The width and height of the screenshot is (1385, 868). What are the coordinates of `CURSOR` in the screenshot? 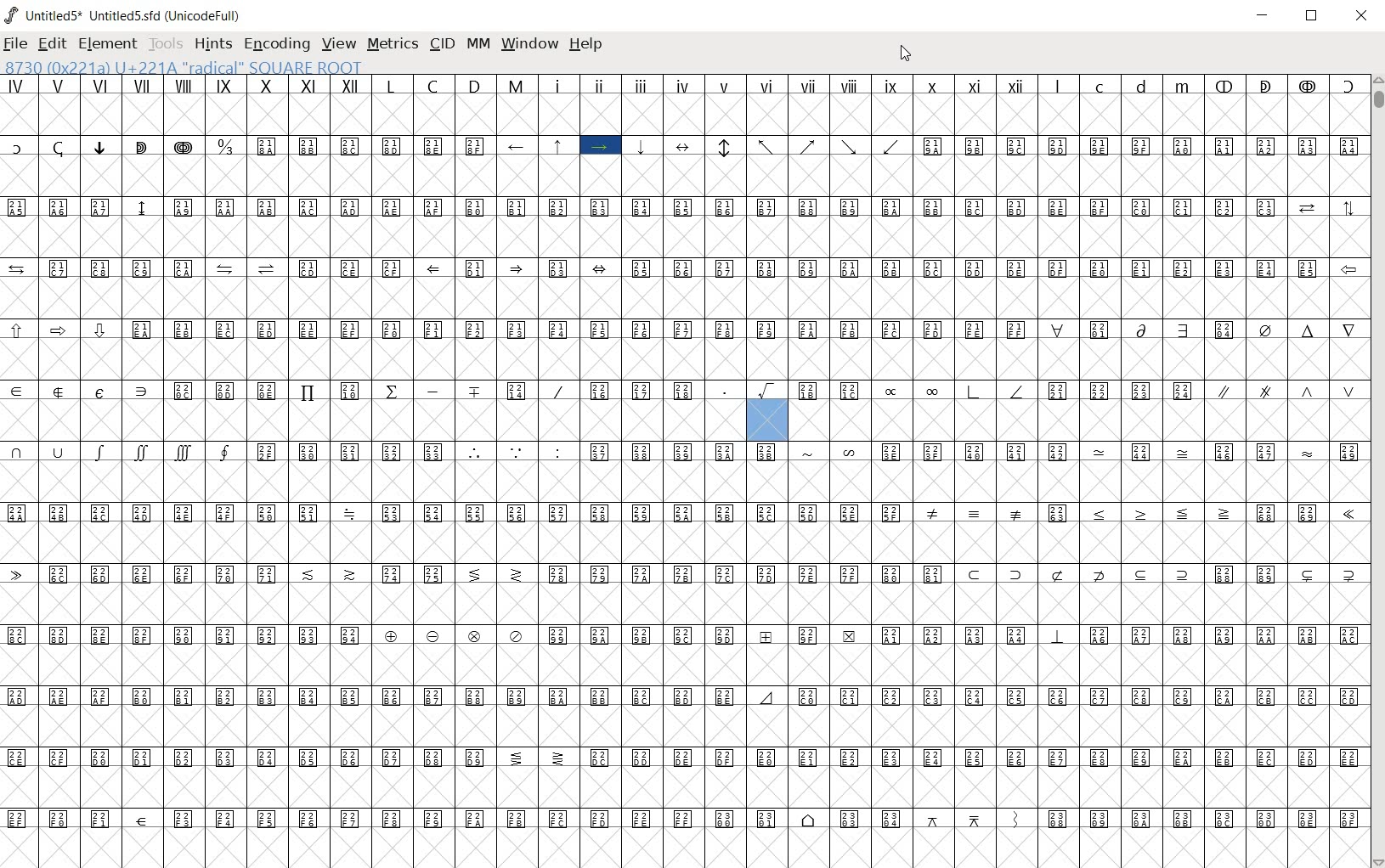 It's located at (905, 56).